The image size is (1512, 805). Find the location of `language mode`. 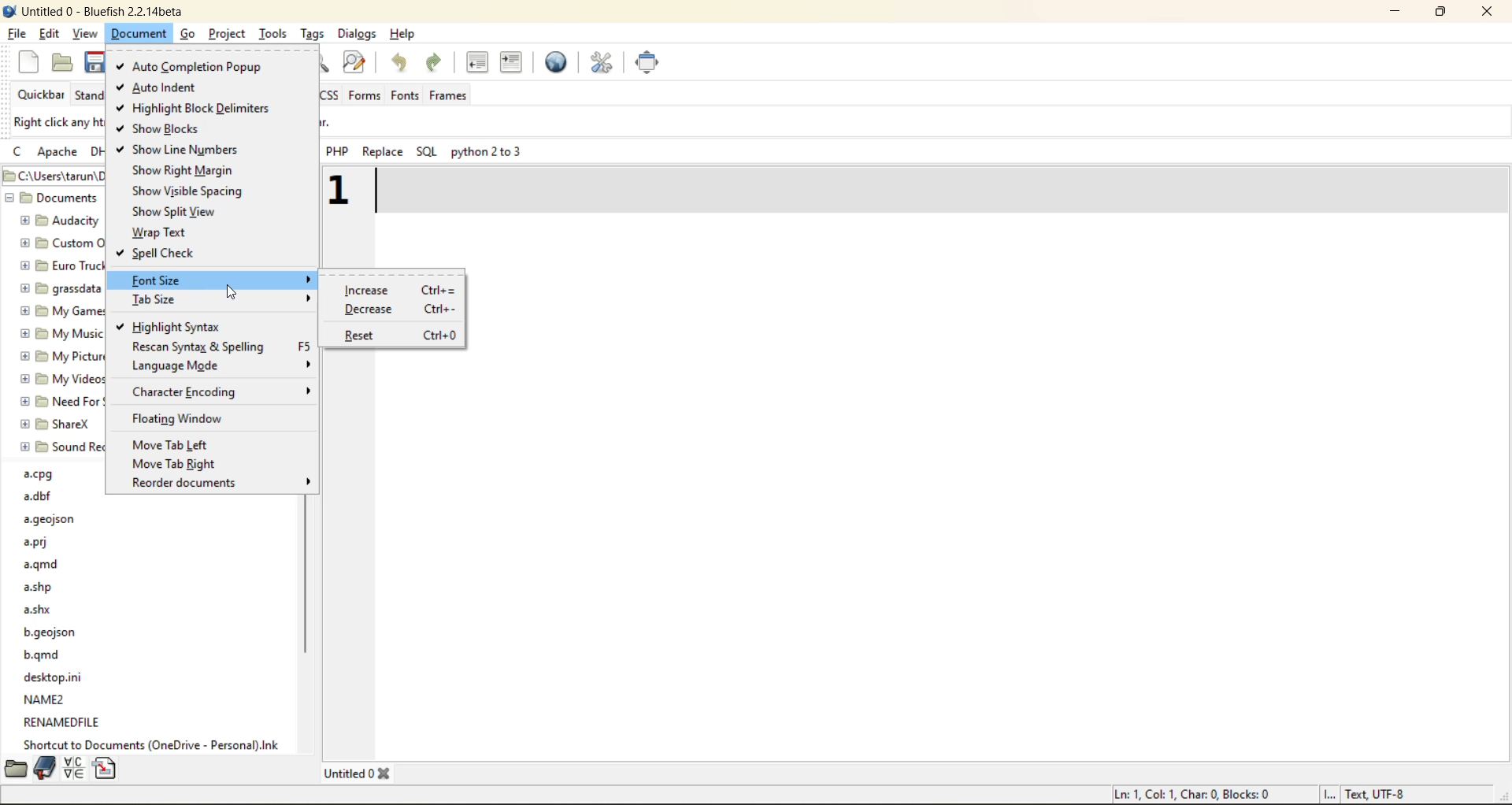

language mode is located at coordinates (173, 368).